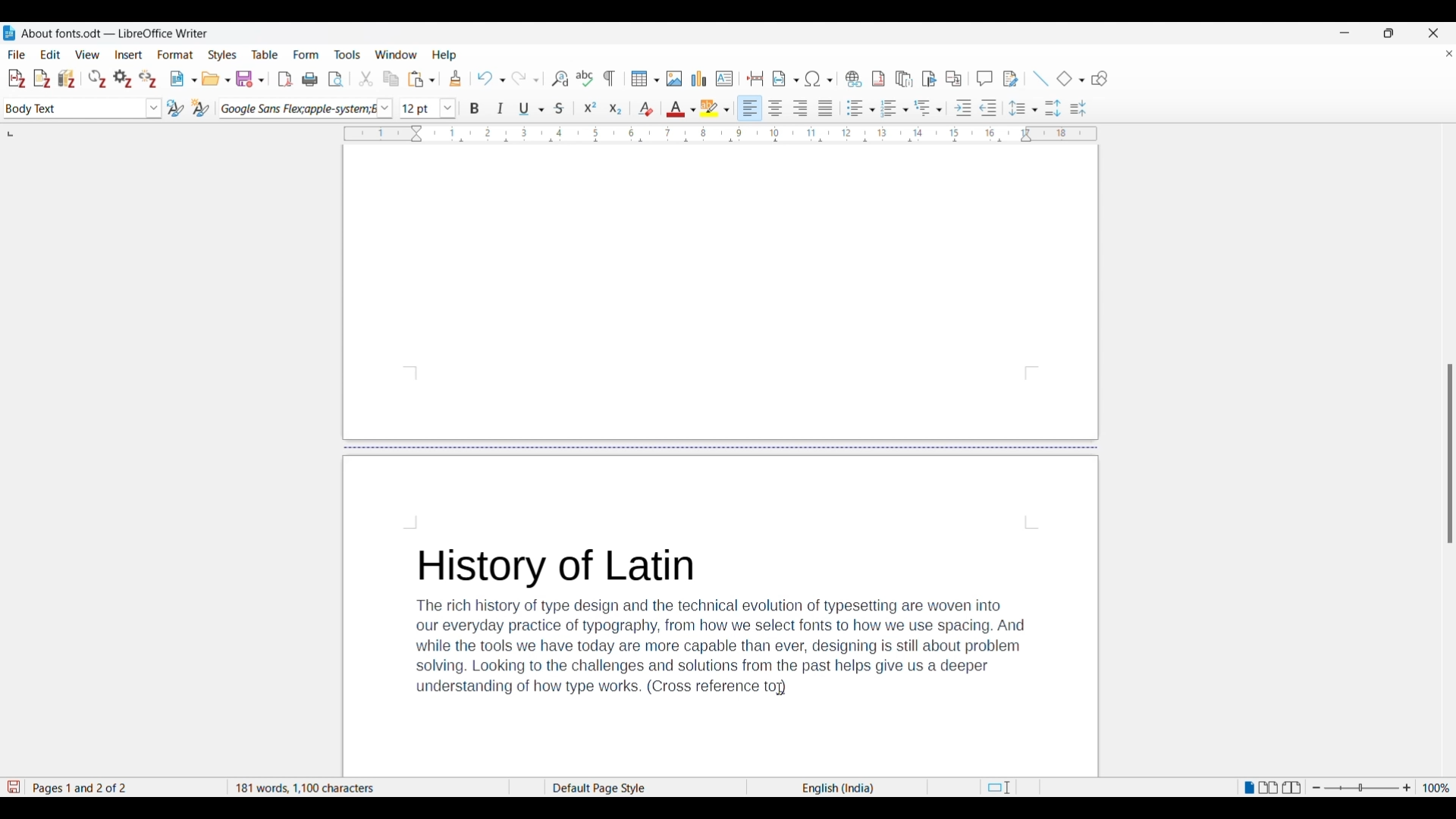 The image size is (1456, 819). I want to click on Export directly as PDF, so click(285, 80).